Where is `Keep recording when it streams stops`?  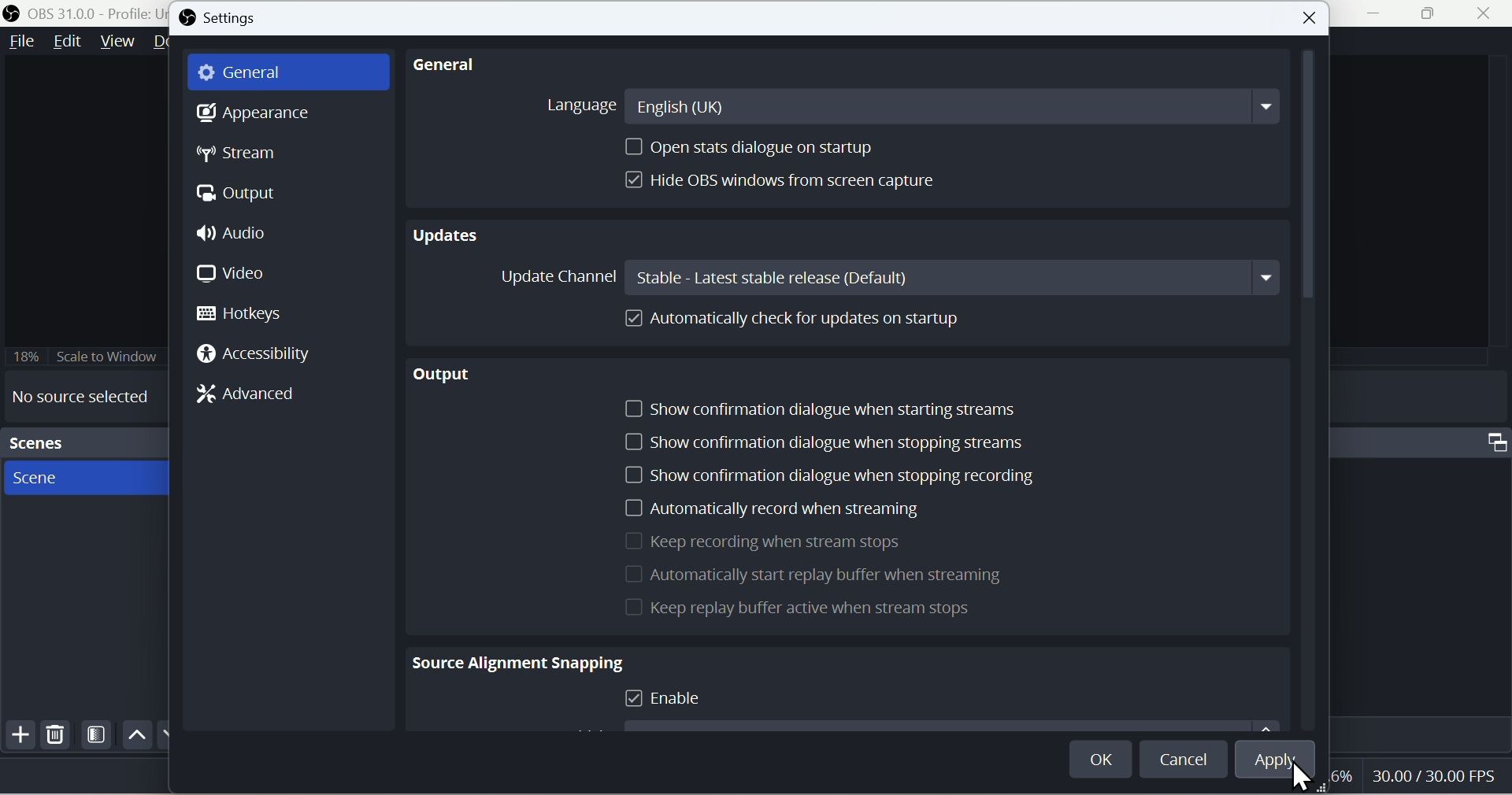
Keep recording when it streams stops is located at coordinates (765, 541).